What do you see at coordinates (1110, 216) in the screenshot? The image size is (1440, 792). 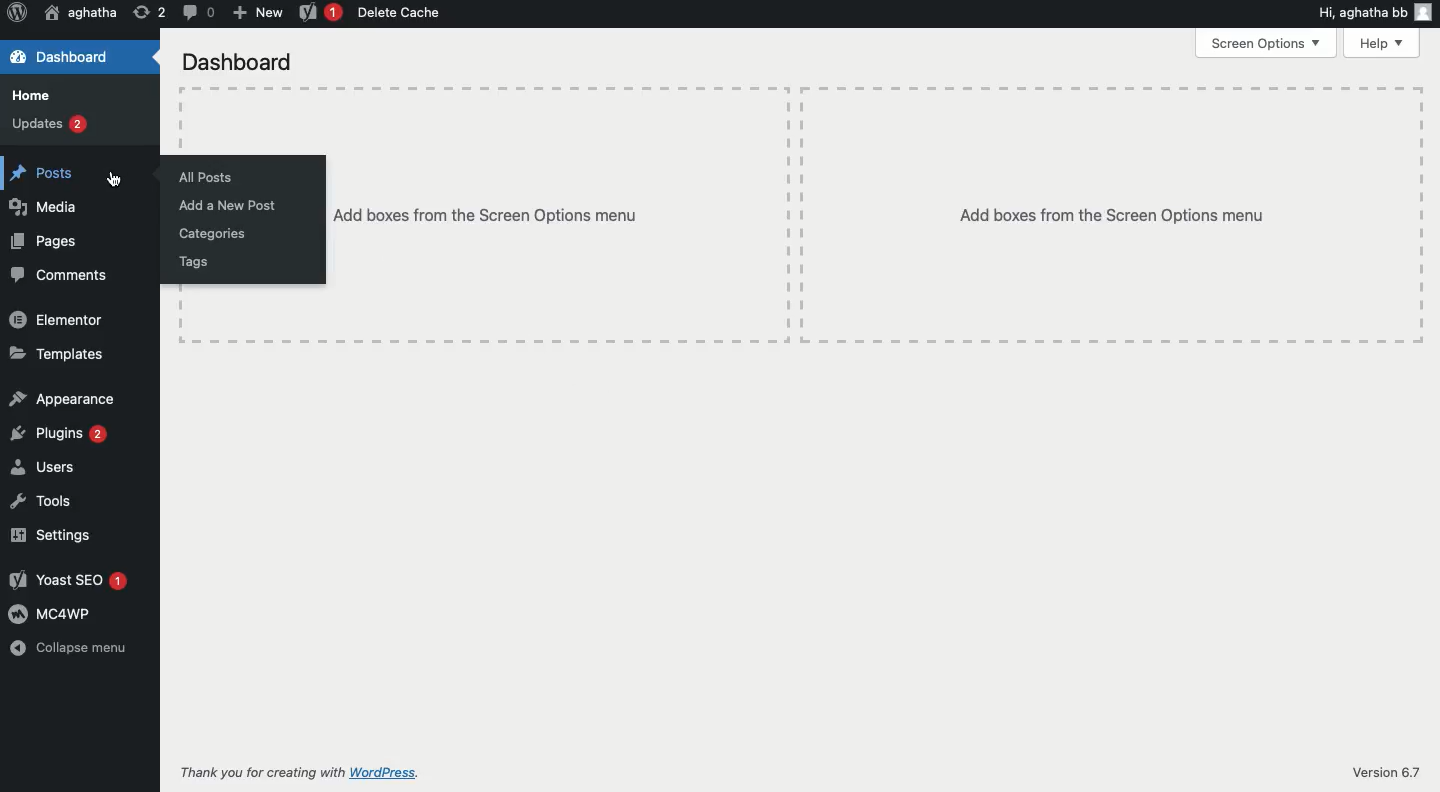 I see `Add boxes from the Screen Options menu` at bounding box center [1110, 216].